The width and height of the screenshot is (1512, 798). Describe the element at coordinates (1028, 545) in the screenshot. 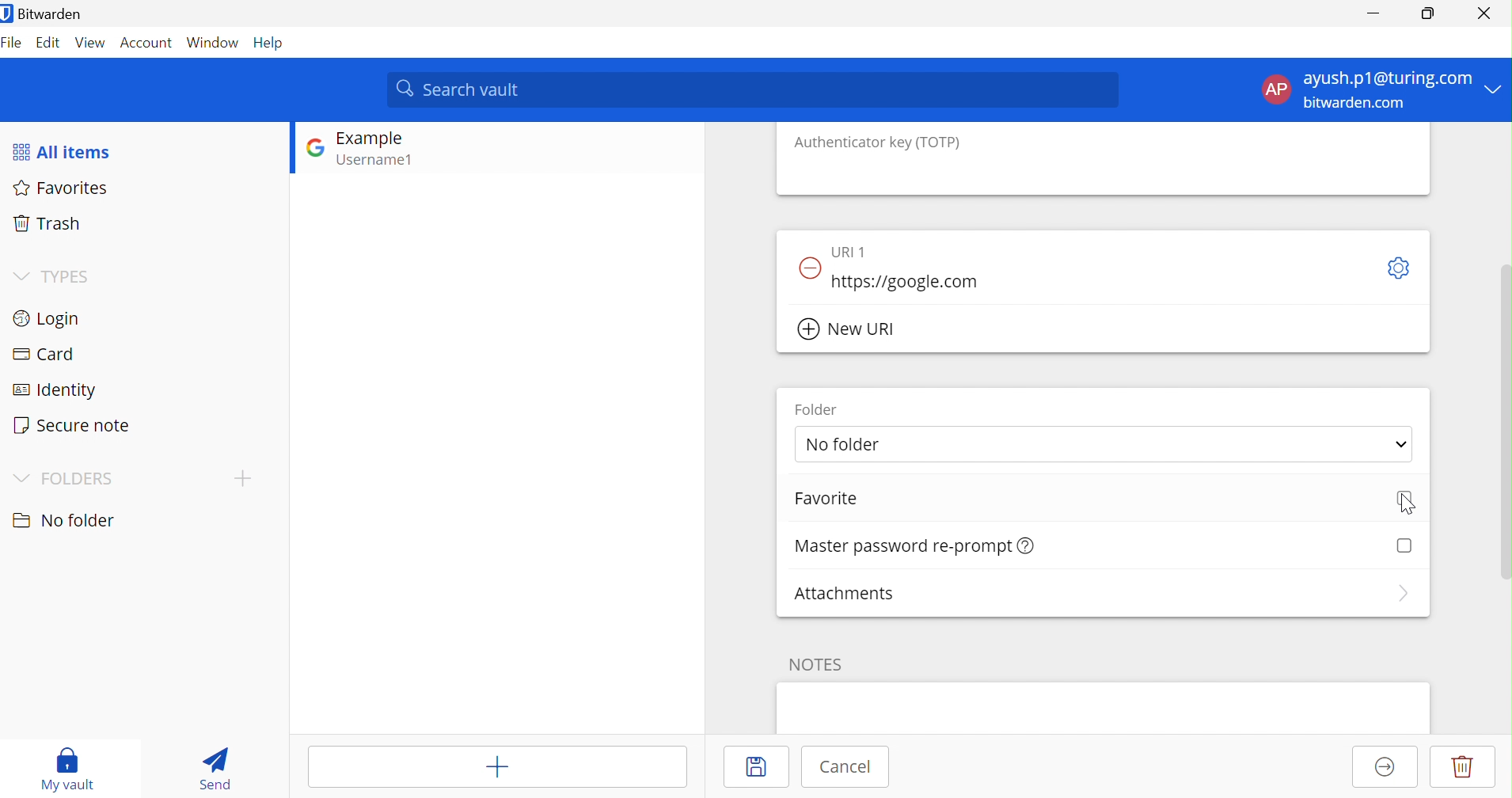

I see `Learn more` at that location.